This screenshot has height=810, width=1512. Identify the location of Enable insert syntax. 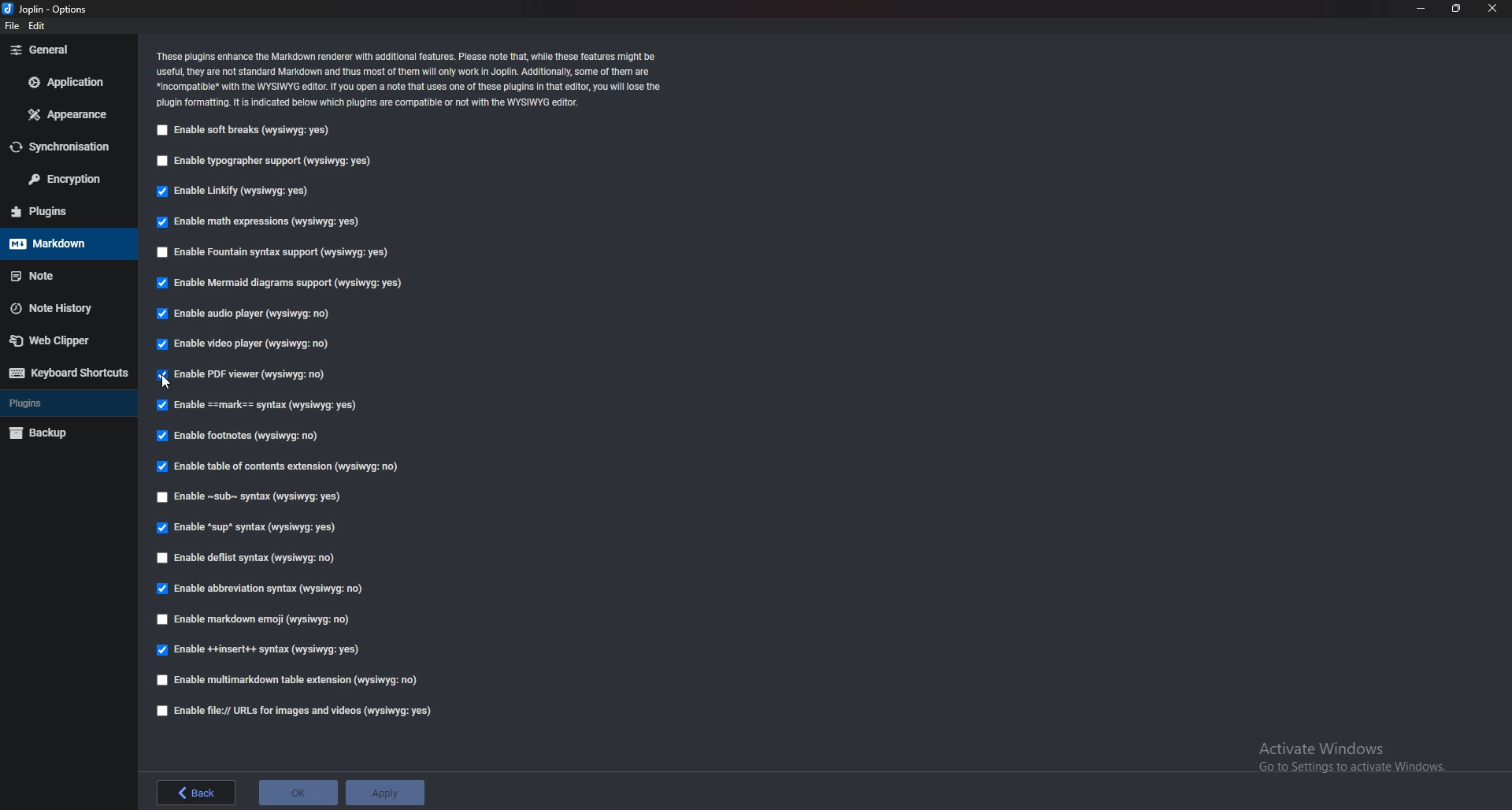
(261, 652).